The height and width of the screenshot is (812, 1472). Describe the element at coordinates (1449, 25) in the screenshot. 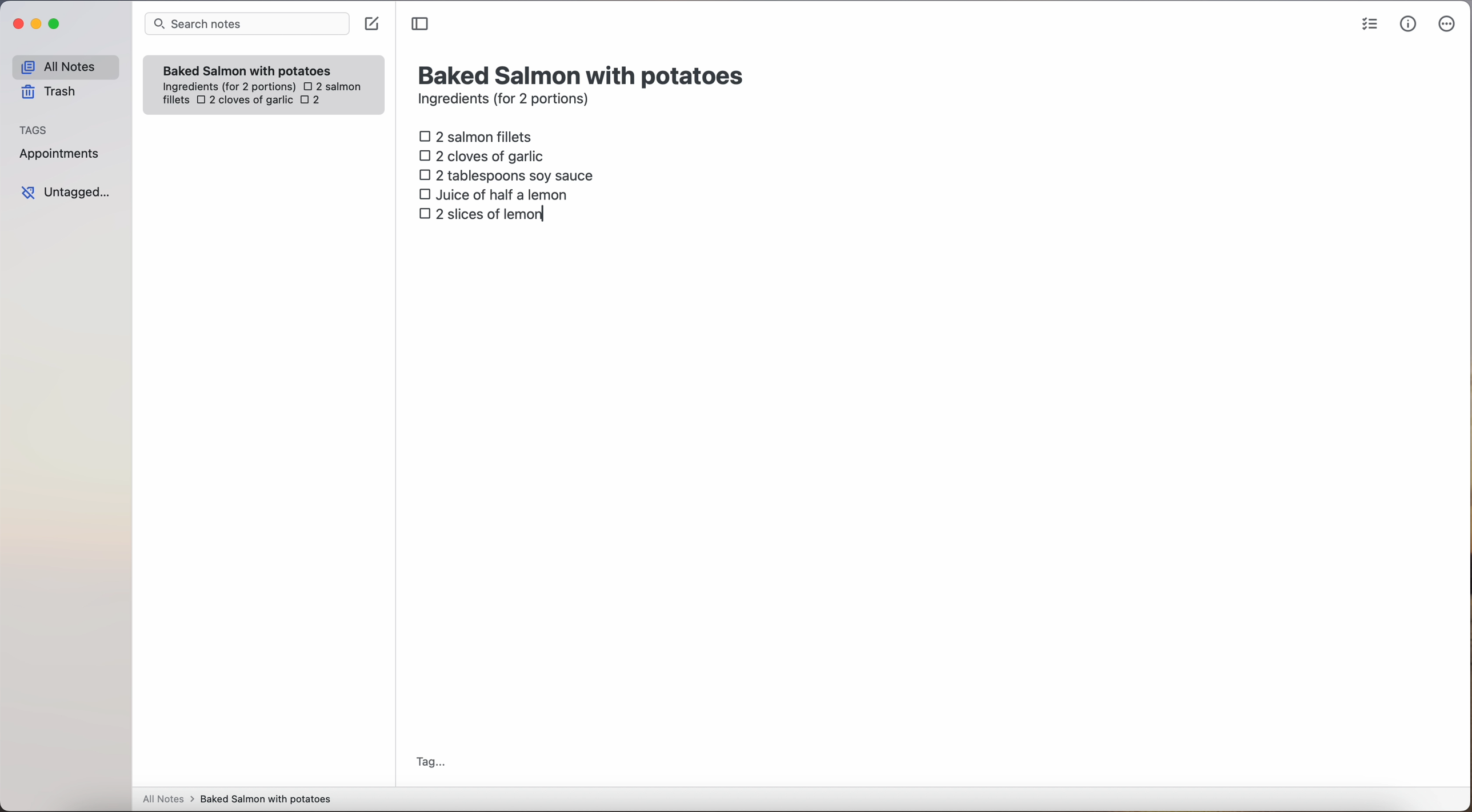

I see `more options` at that location.